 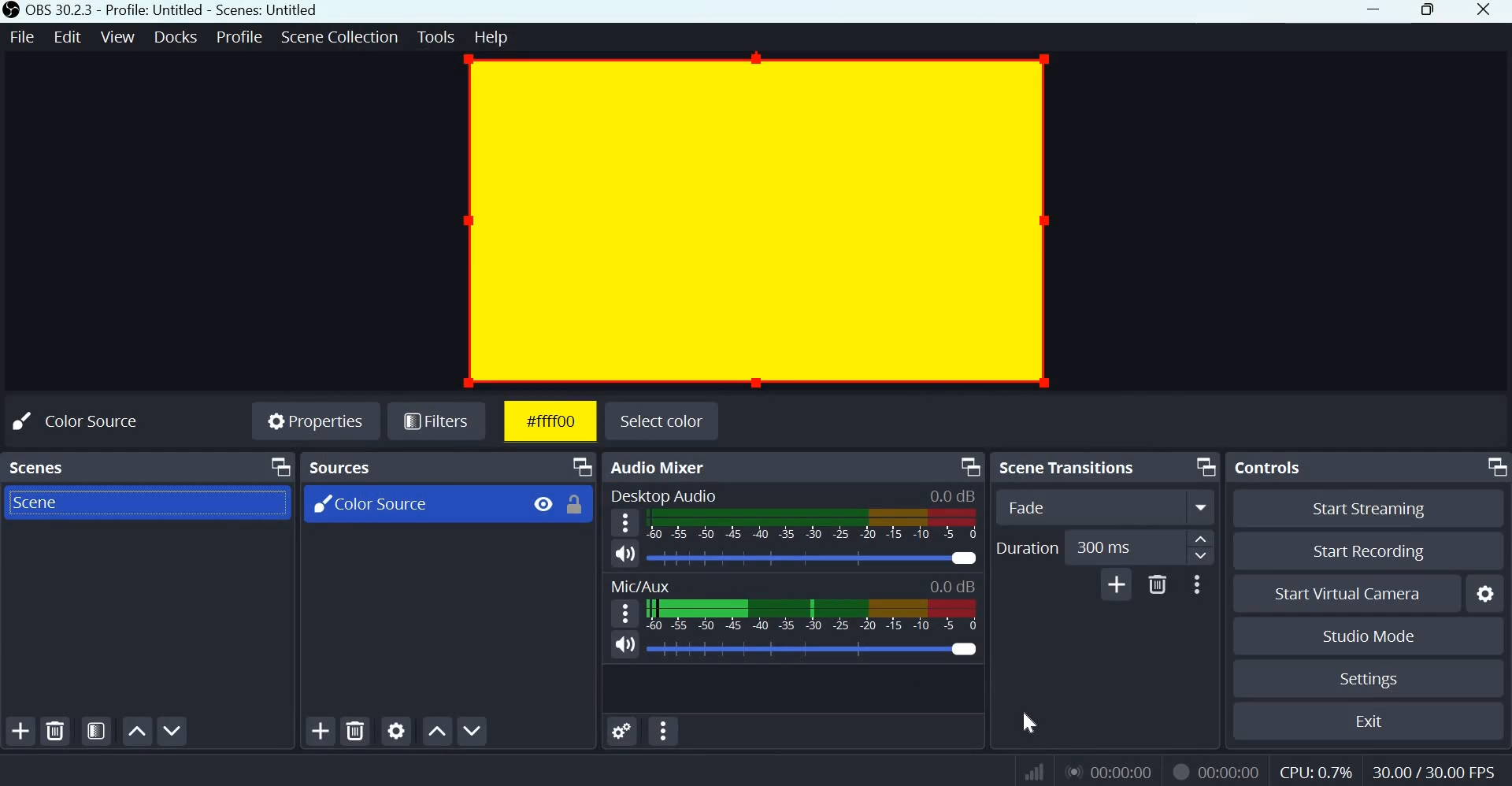 I want to click on View, so click(x=119, y=35).